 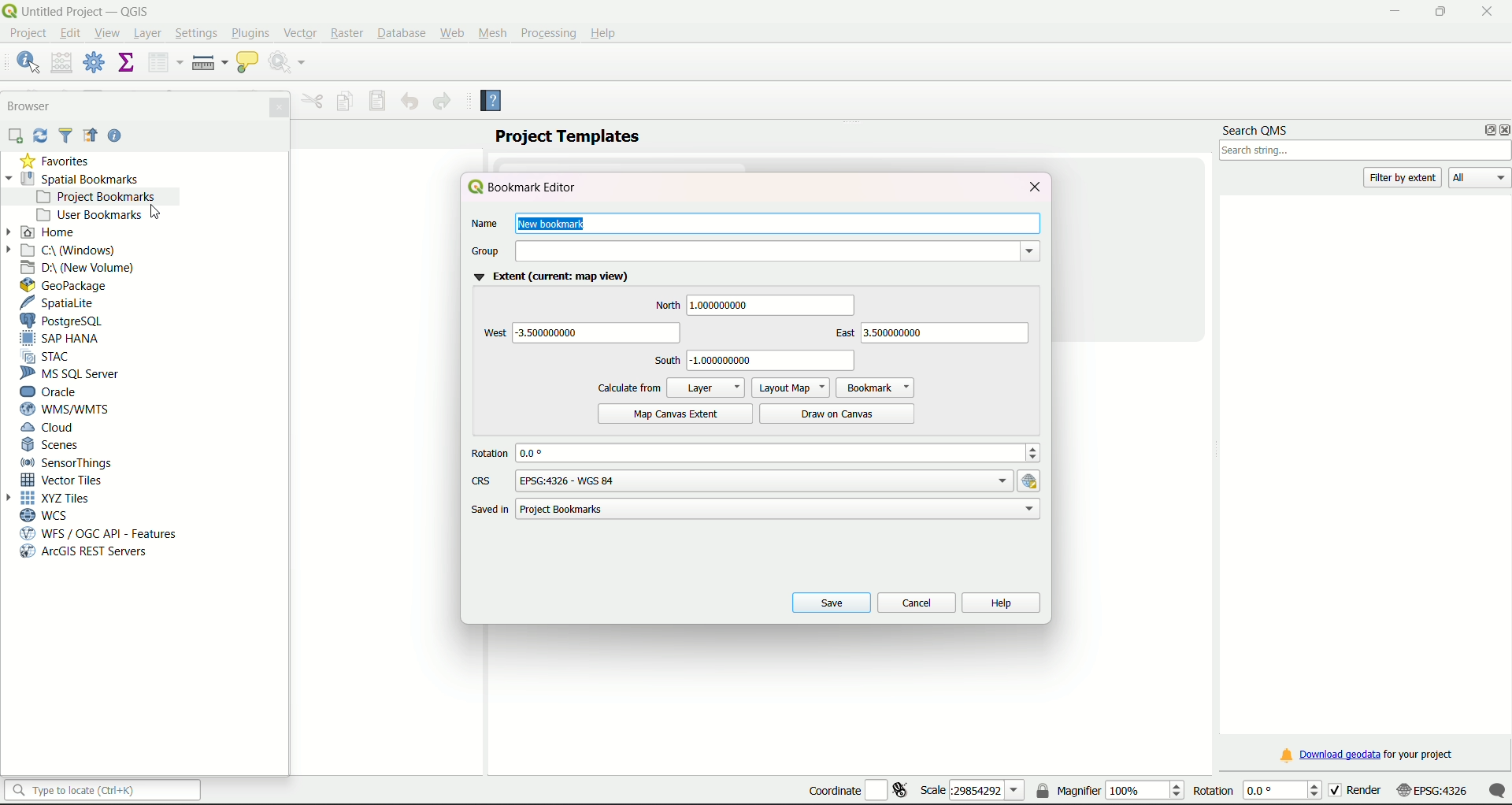 What do you see at coordinates (1486, 10) in the screenshot?
I see `close` at bounding box center [1486, 10].